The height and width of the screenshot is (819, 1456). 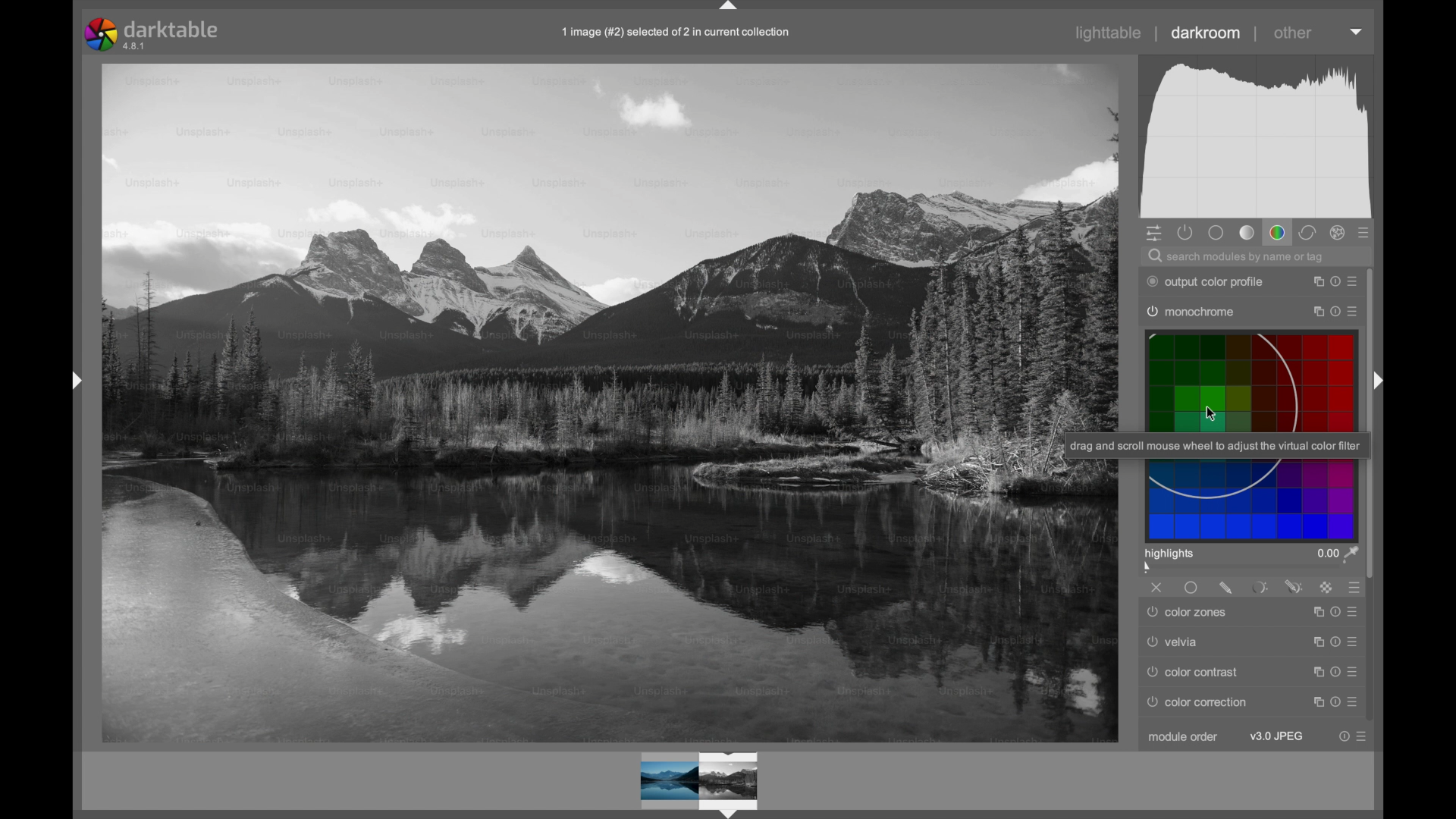 I want to click on 1 image (#2) selected of 2 in current collection, so click(x=673, y=34).